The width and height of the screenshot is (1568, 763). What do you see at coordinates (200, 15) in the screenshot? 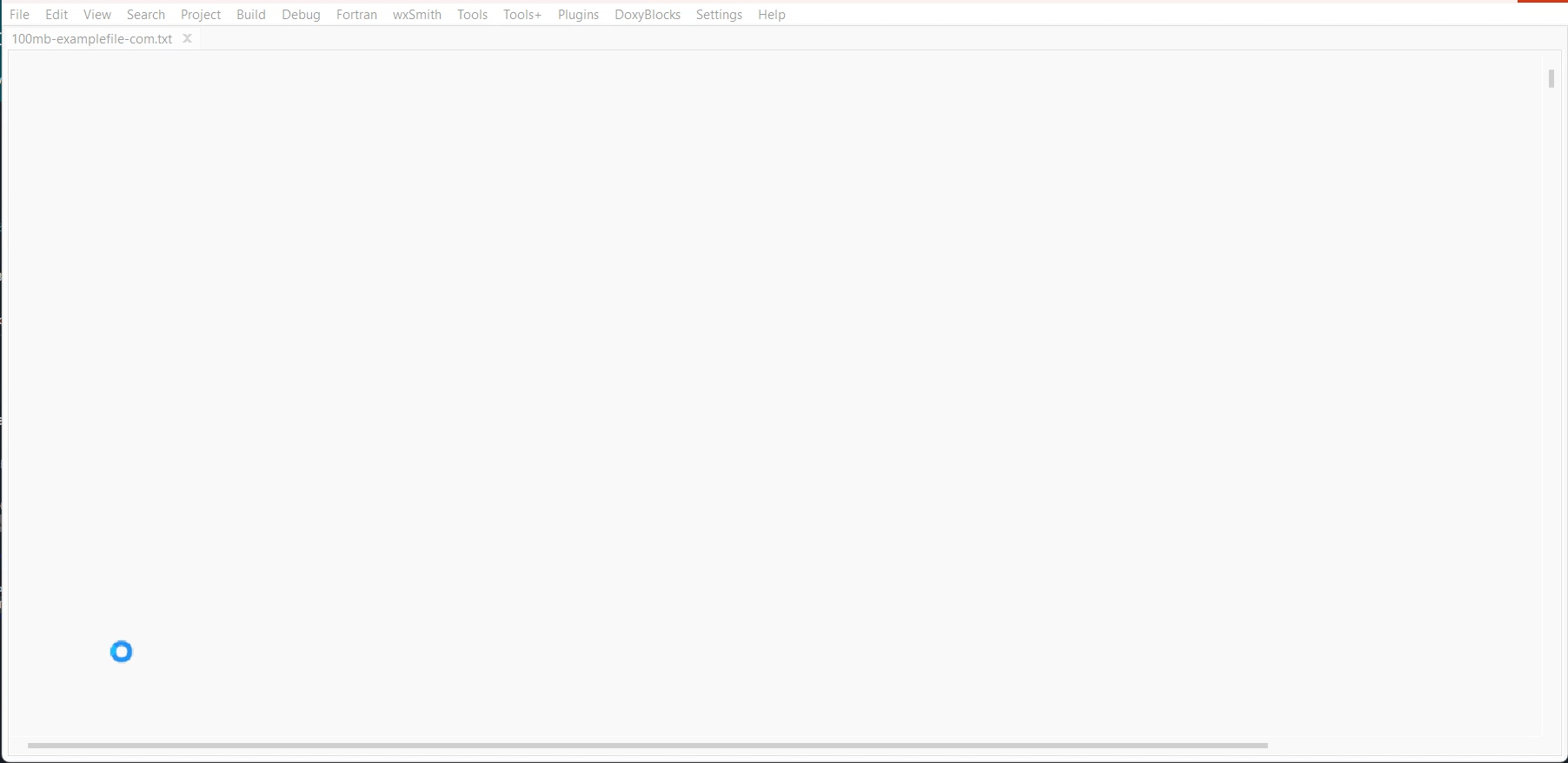
I see `Project` at bounding box center [200, 15].